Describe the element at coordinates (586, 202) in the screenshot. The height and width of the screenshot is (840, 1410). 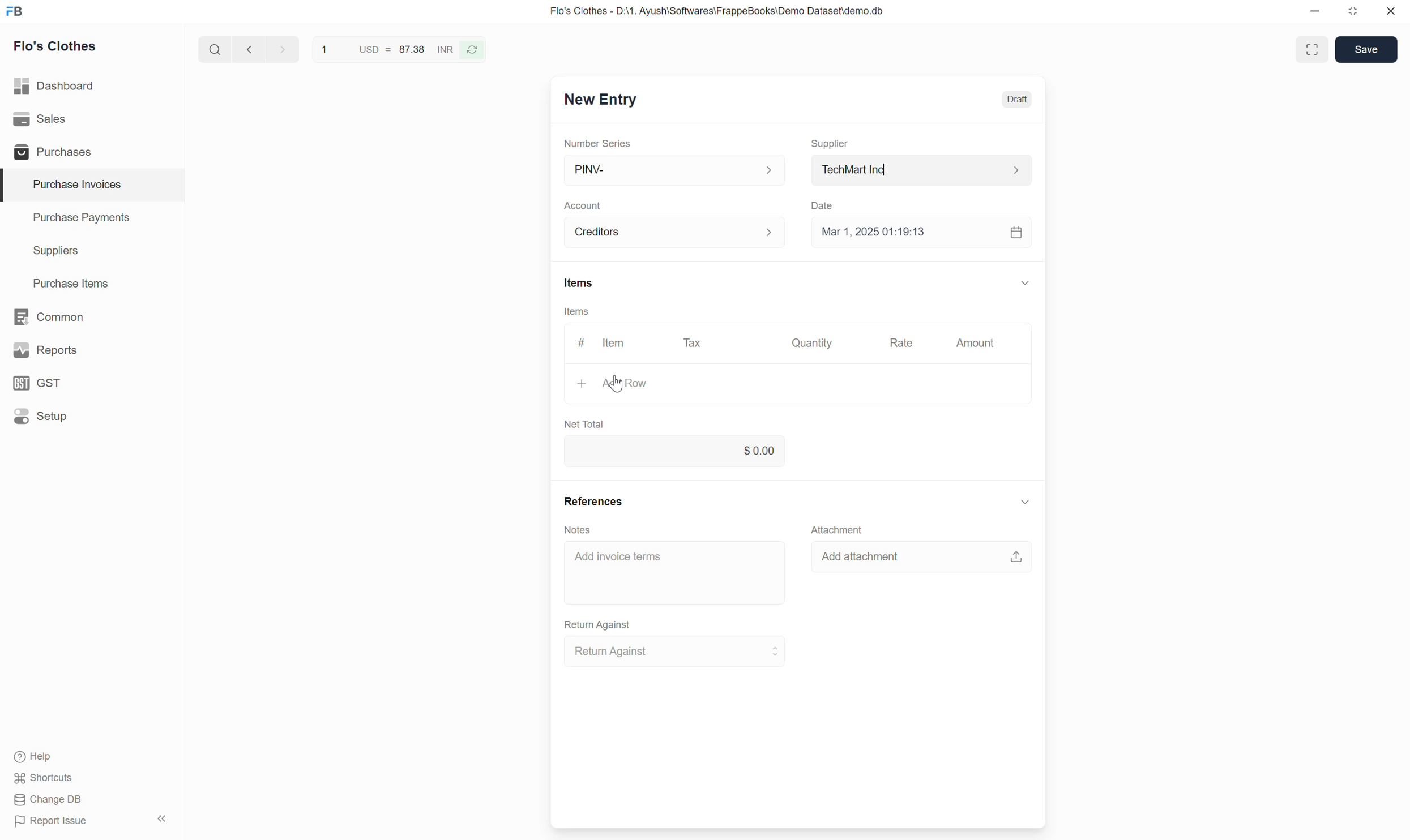
I see `Account` at that location.